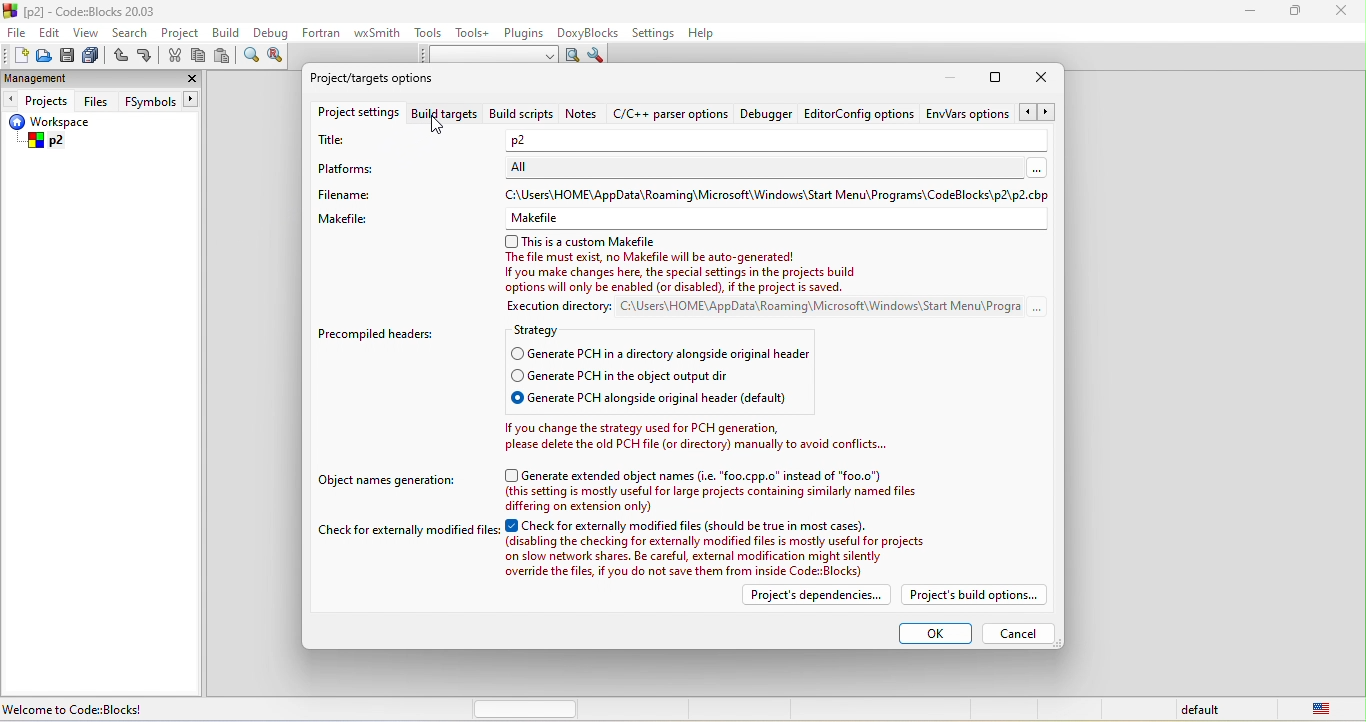 Image resolution: width=1366 pixels, height=722 pixels. What do you see at coordinates (356, 195) in the screenshot?
I see `file name` at bounding box center [356, 195].